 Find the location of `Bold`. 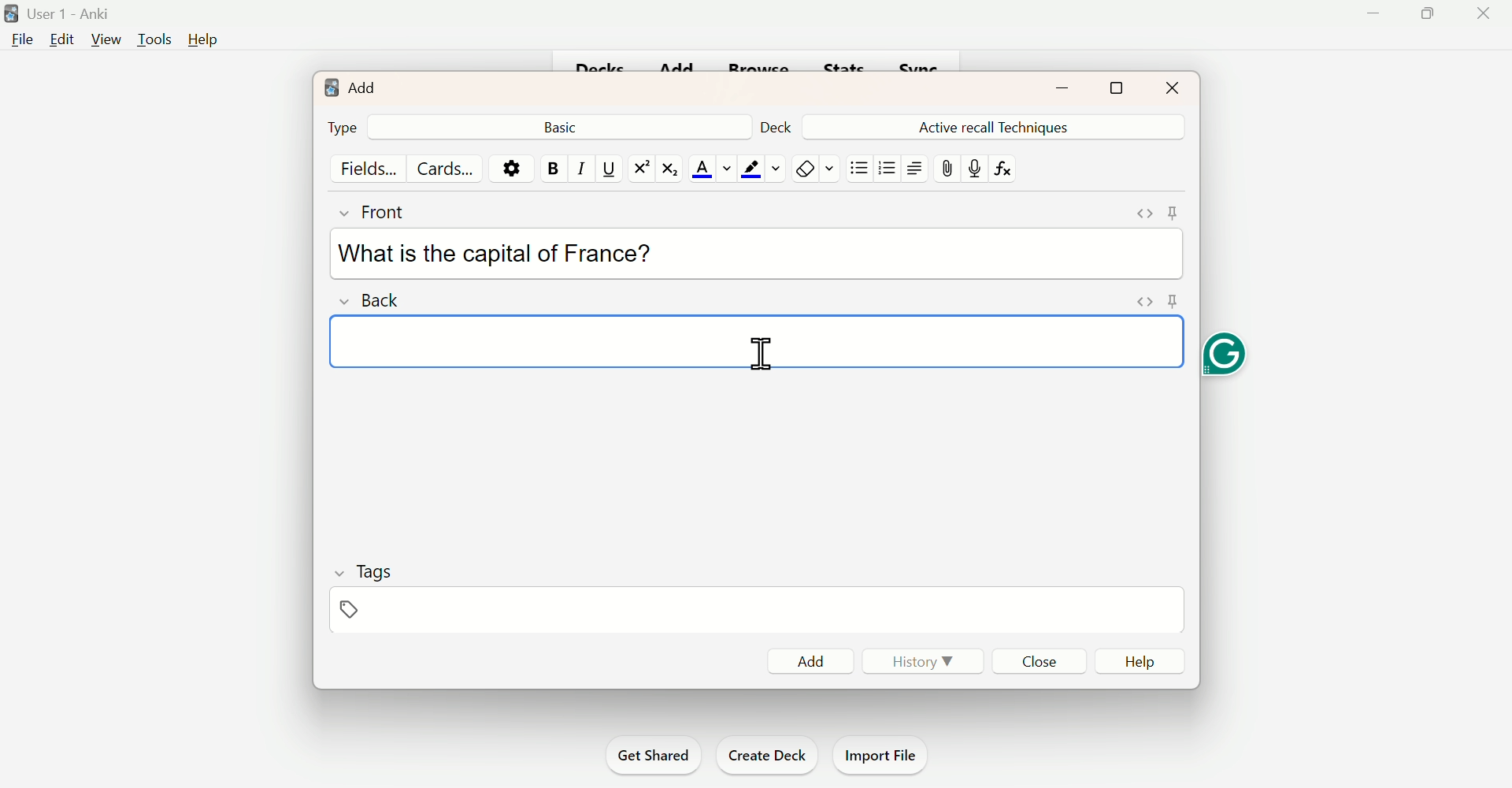

Bold is located at coordinates (553, 165).